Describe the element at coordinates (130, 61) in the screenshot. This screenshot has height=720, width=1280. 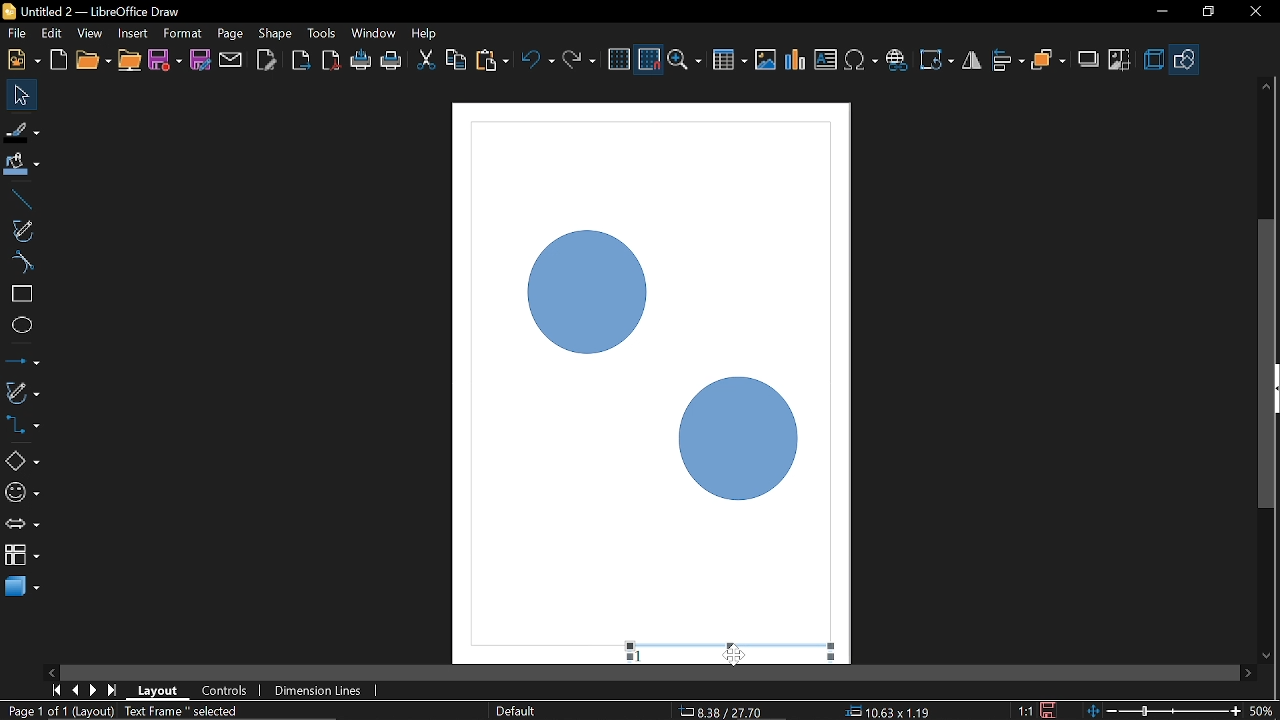
I see `Open remote file` at that location.